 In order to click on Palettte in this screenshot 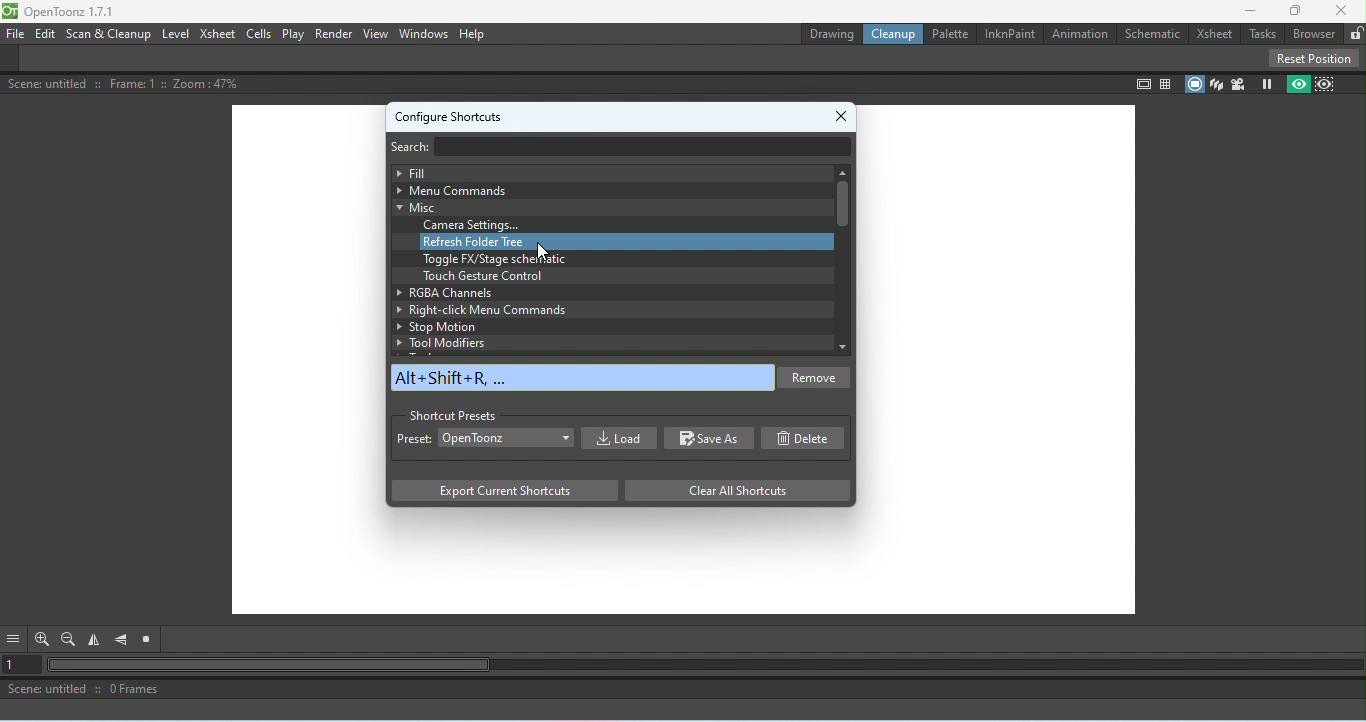, I will do `click(949, 34)`.